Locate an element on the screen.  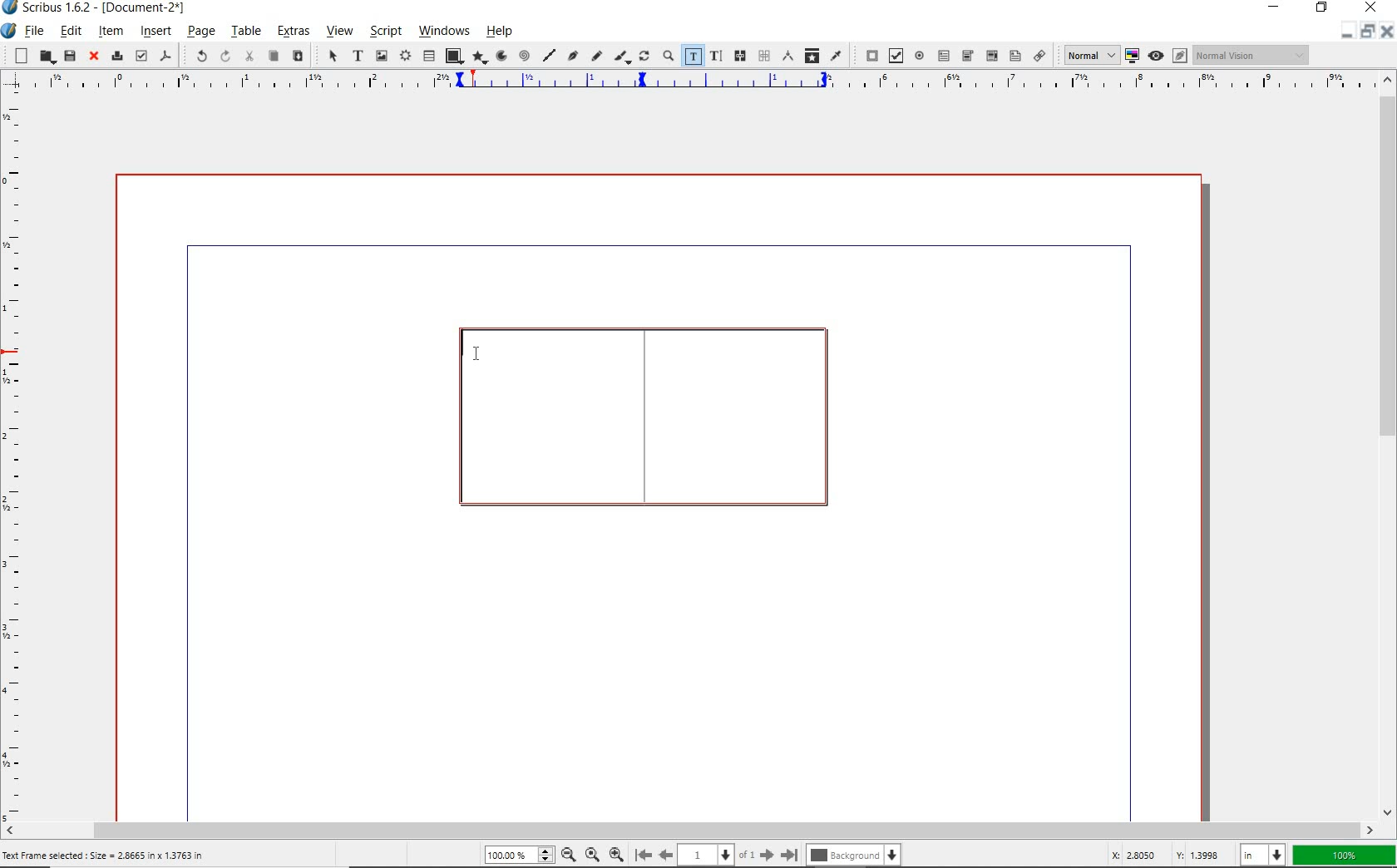
shape is located at coordinates (451, 57).